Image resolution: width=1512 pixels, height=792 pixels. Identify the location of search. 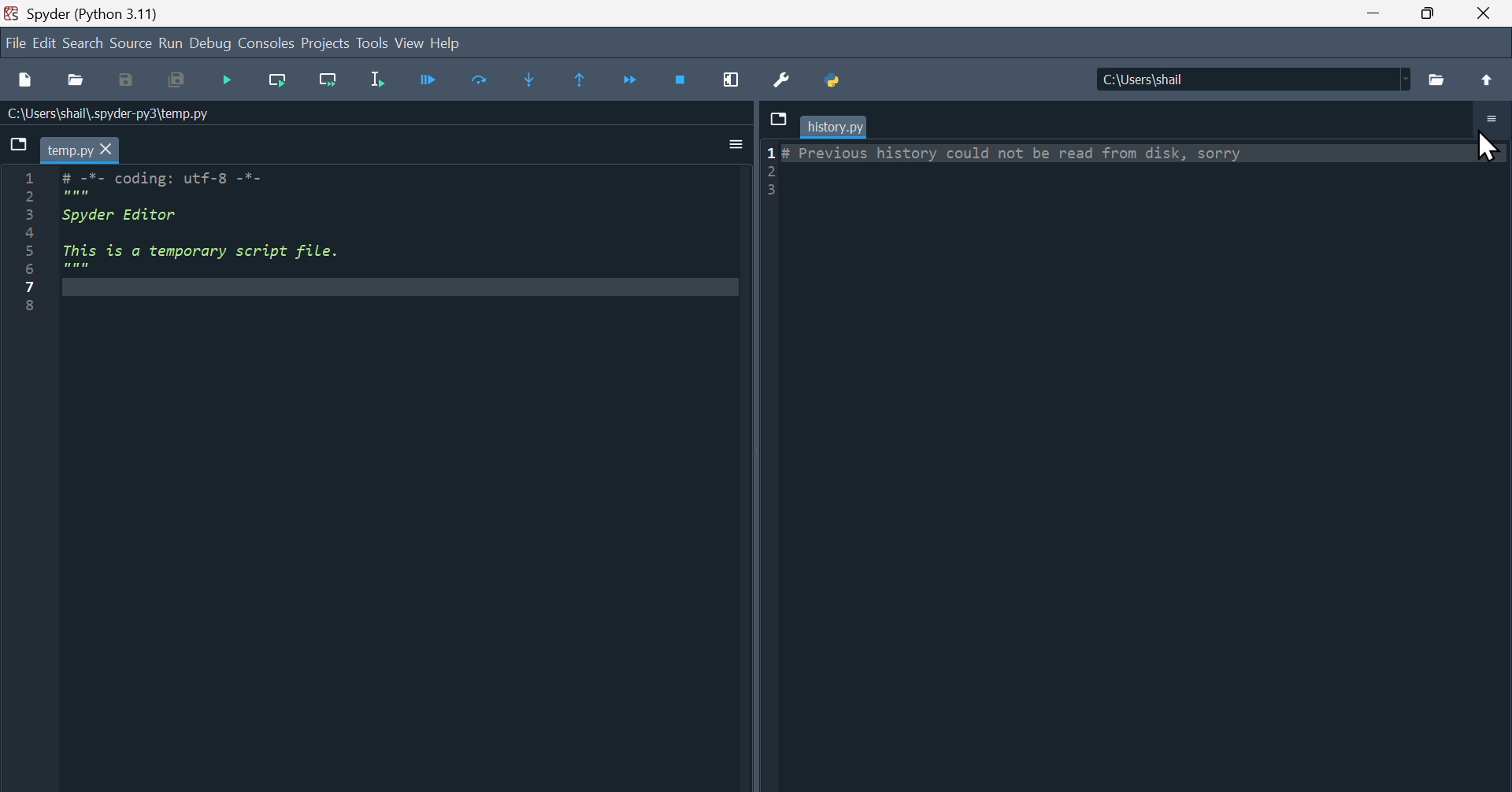
(83, 45).